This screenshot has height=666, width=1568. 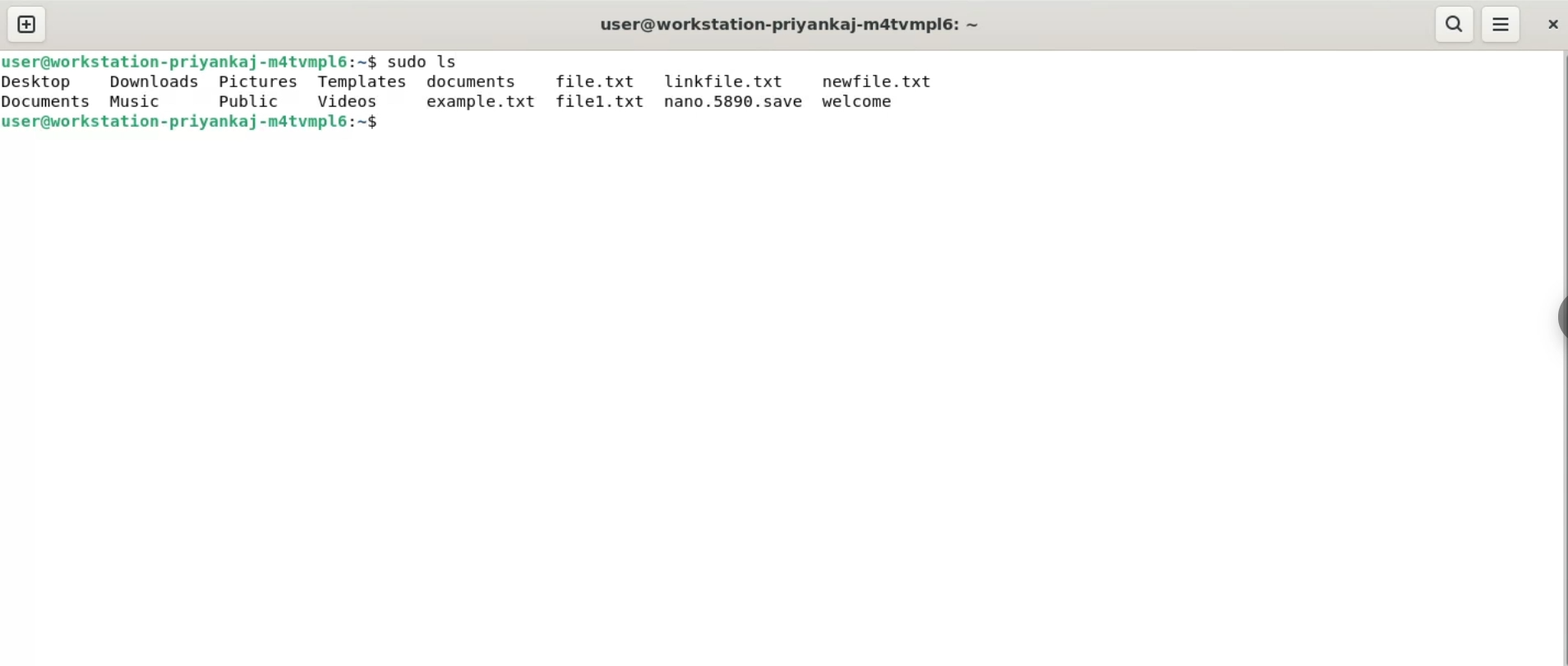 I want to click on pictures, so click(x=260, y=83).